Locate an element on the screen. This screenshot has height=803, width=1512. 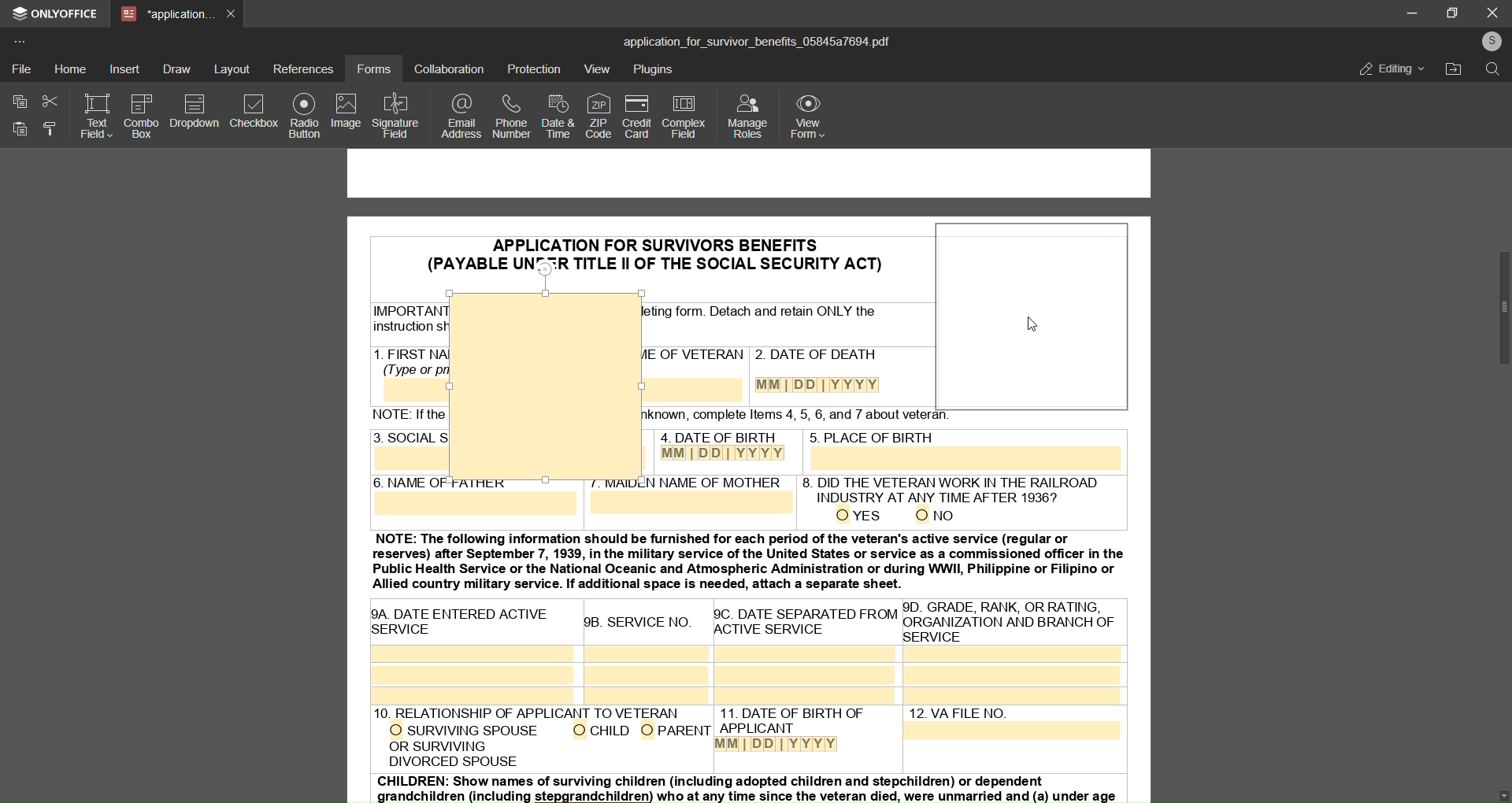
email address is located at coordinates (461, 117).